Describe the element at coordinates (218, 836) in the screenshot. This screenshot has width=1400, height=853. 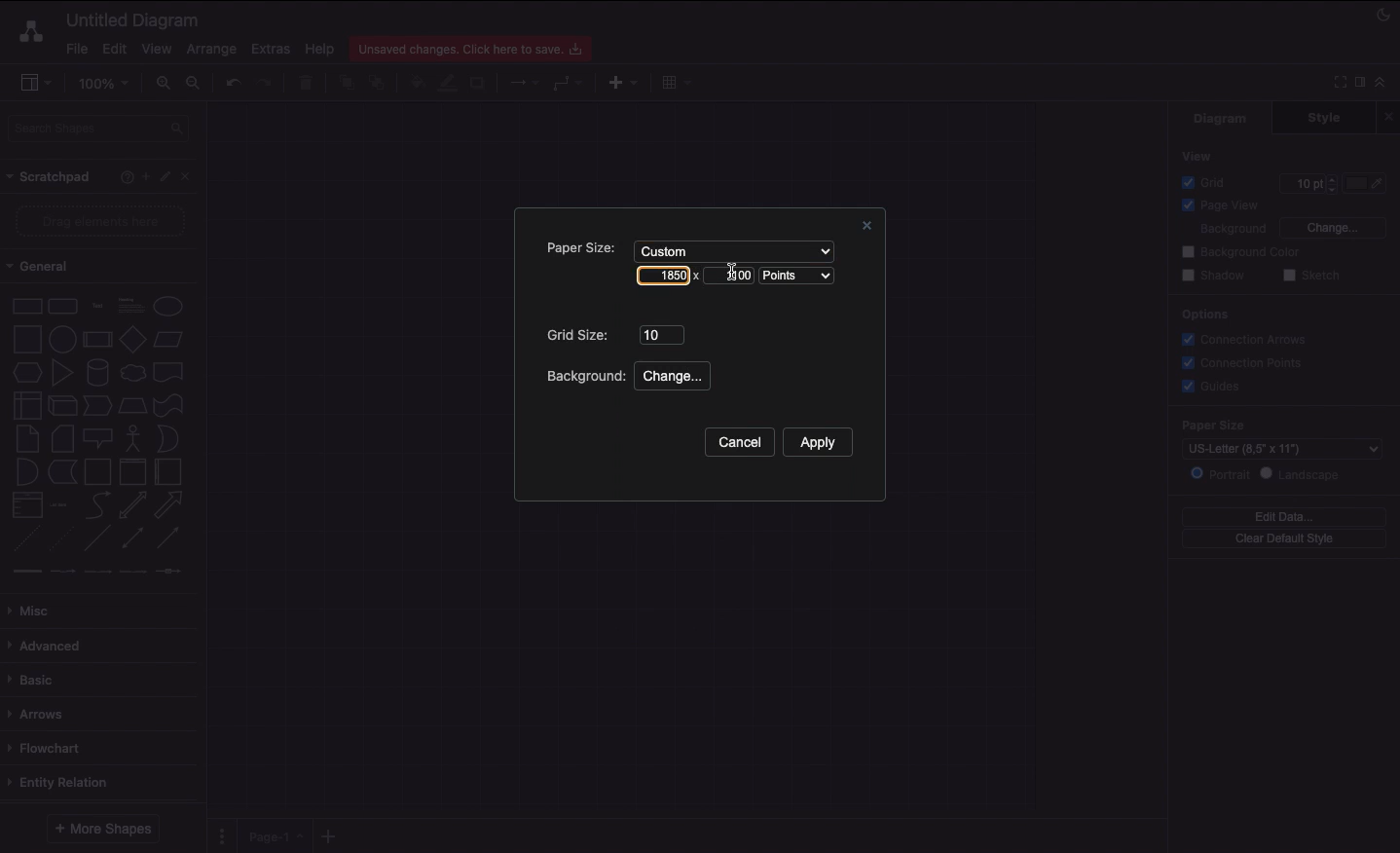
I see `Pages` at that location.